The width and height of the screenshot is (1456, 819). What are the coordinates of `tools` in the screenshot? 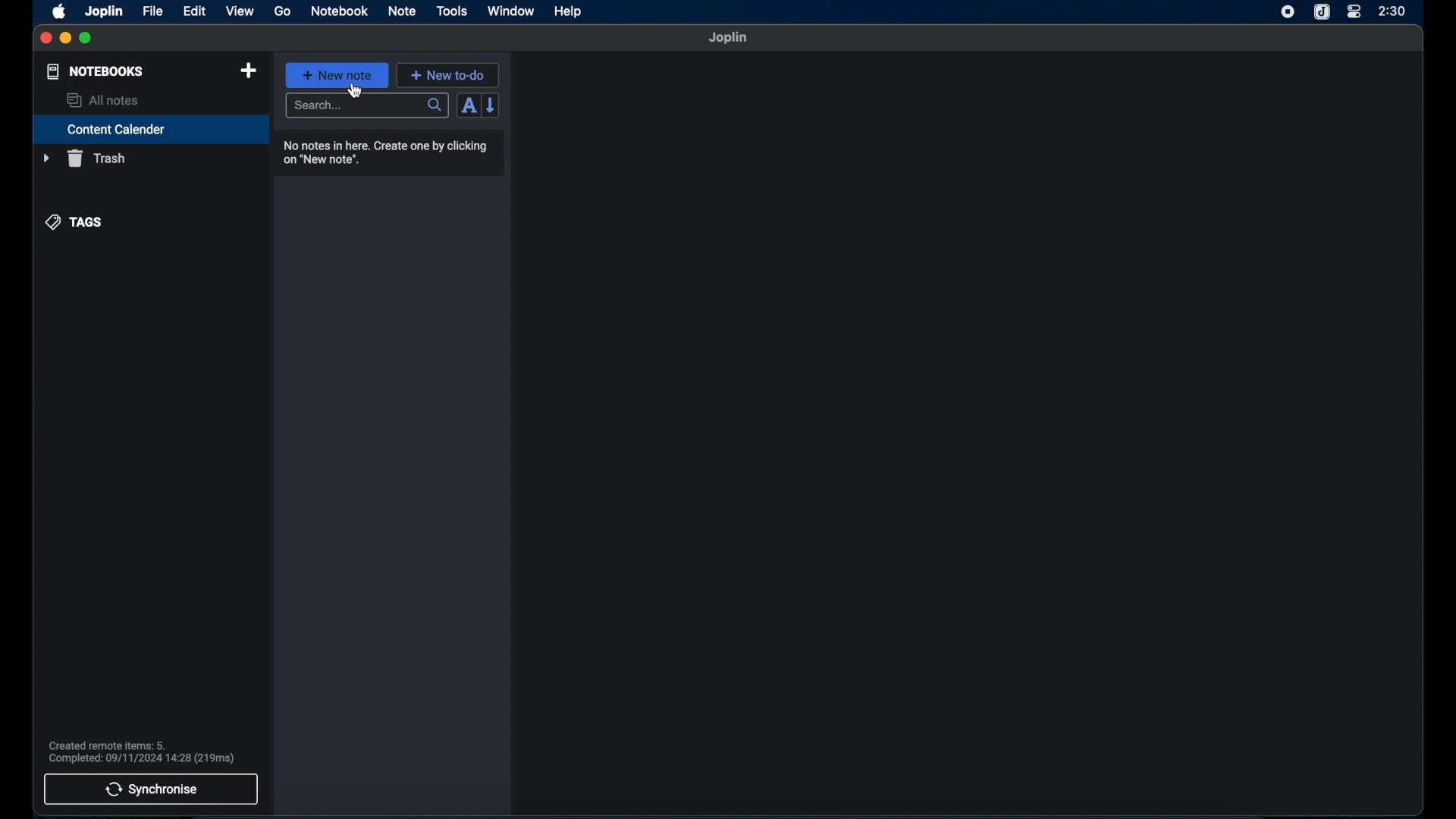 It's located at (451, 11).